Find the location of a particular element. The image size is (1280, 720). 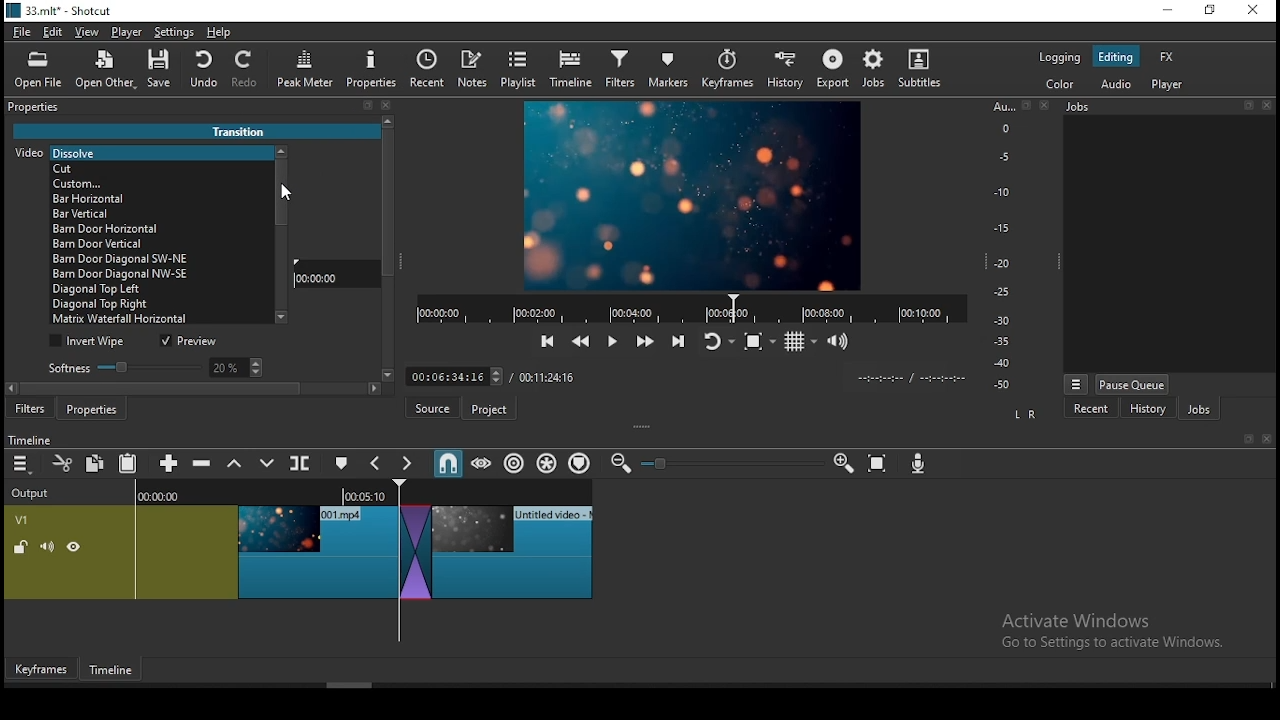

 is located at coordinates (680, 375).